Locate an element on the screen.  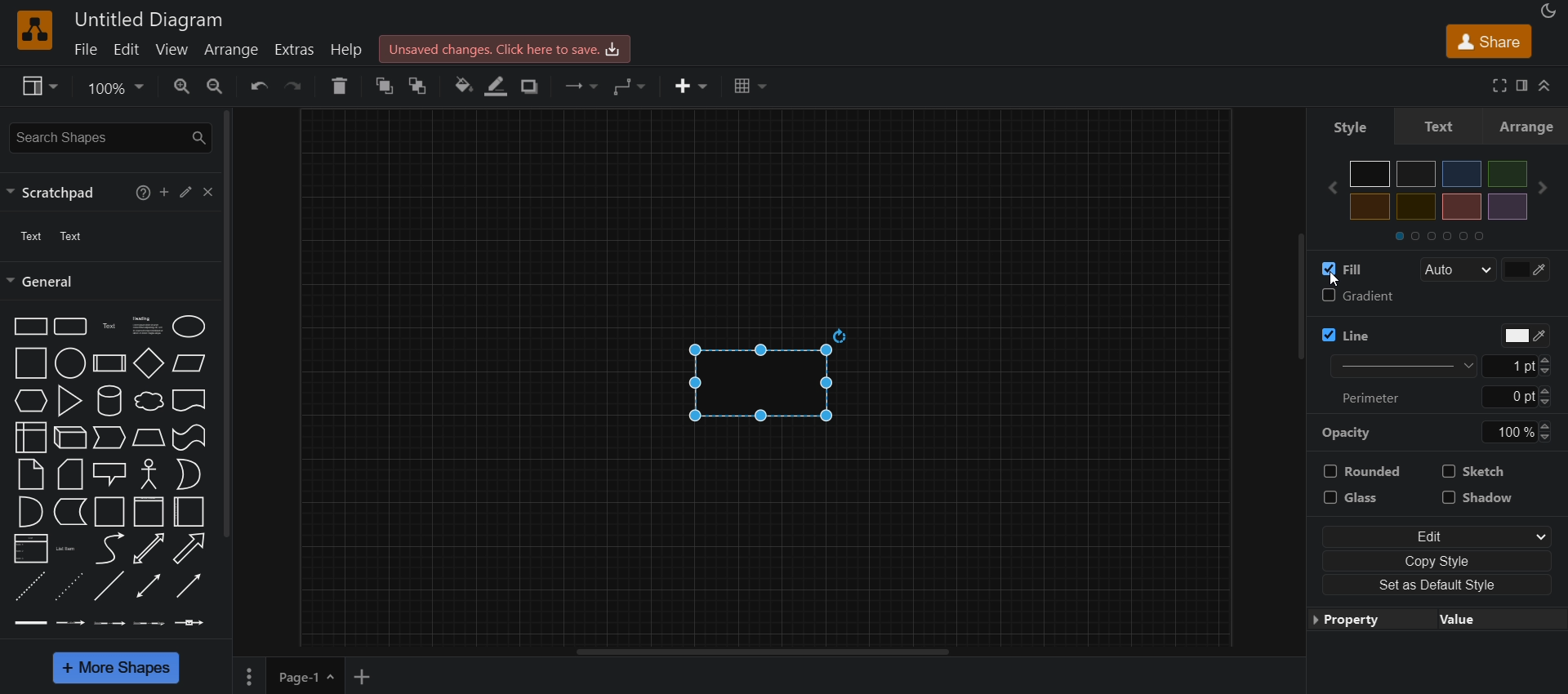
logo is located at coordinates (36, 30).